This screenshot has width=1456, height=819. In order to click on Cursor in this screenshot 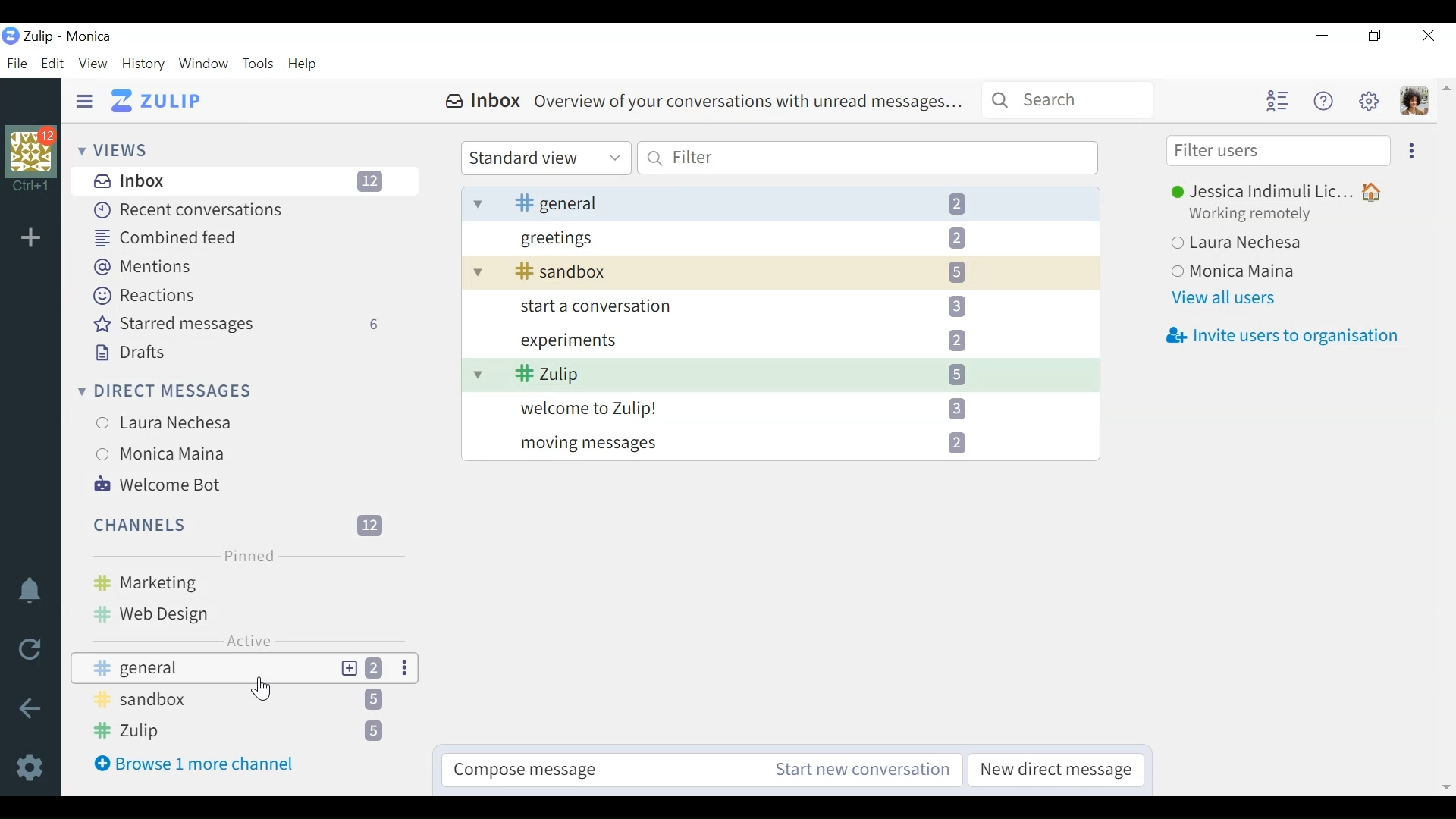, I will do `click(265, 689)`.